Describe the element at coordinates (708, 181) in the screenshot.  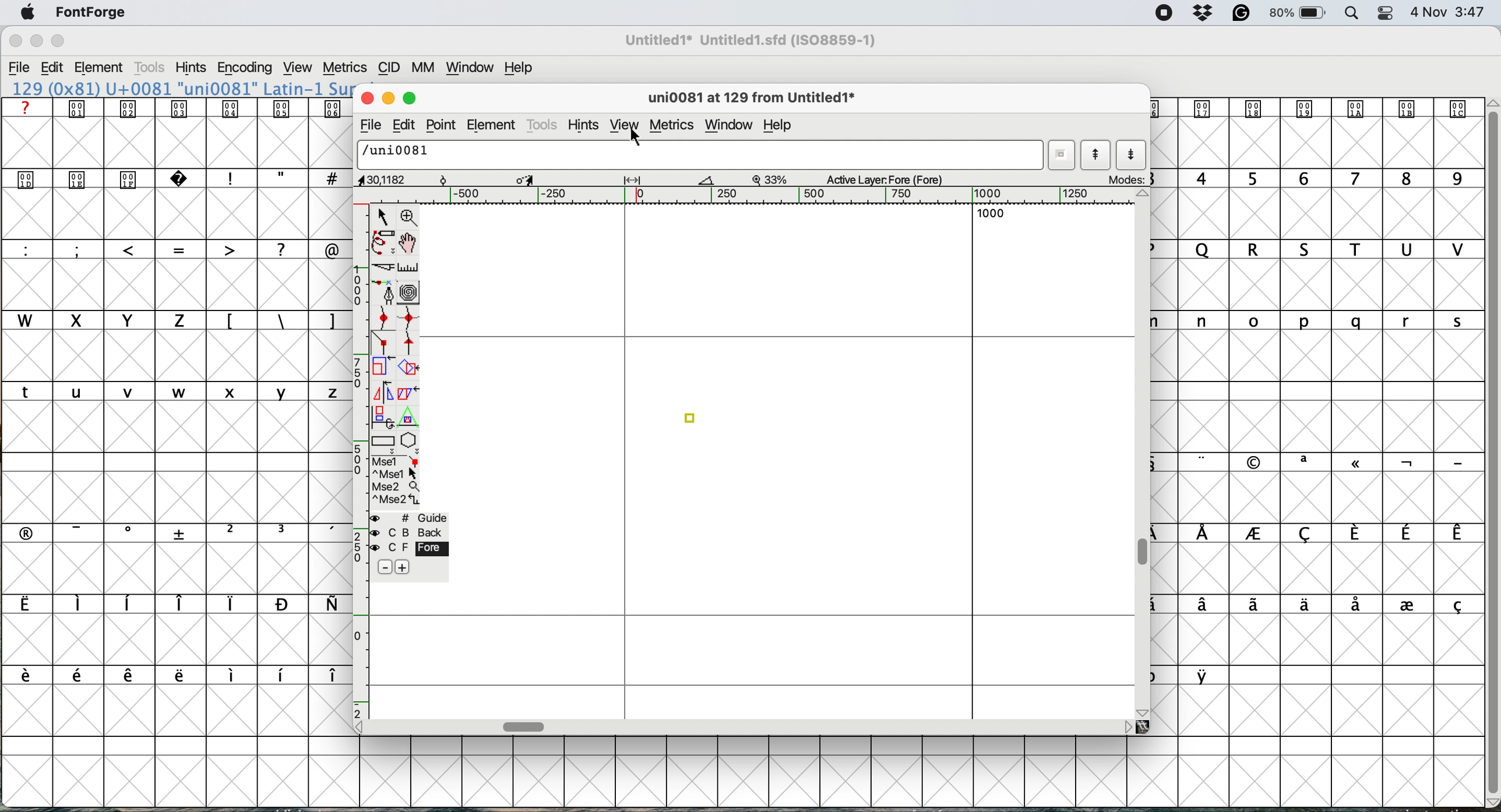
I see `Measure Tool` at that location.